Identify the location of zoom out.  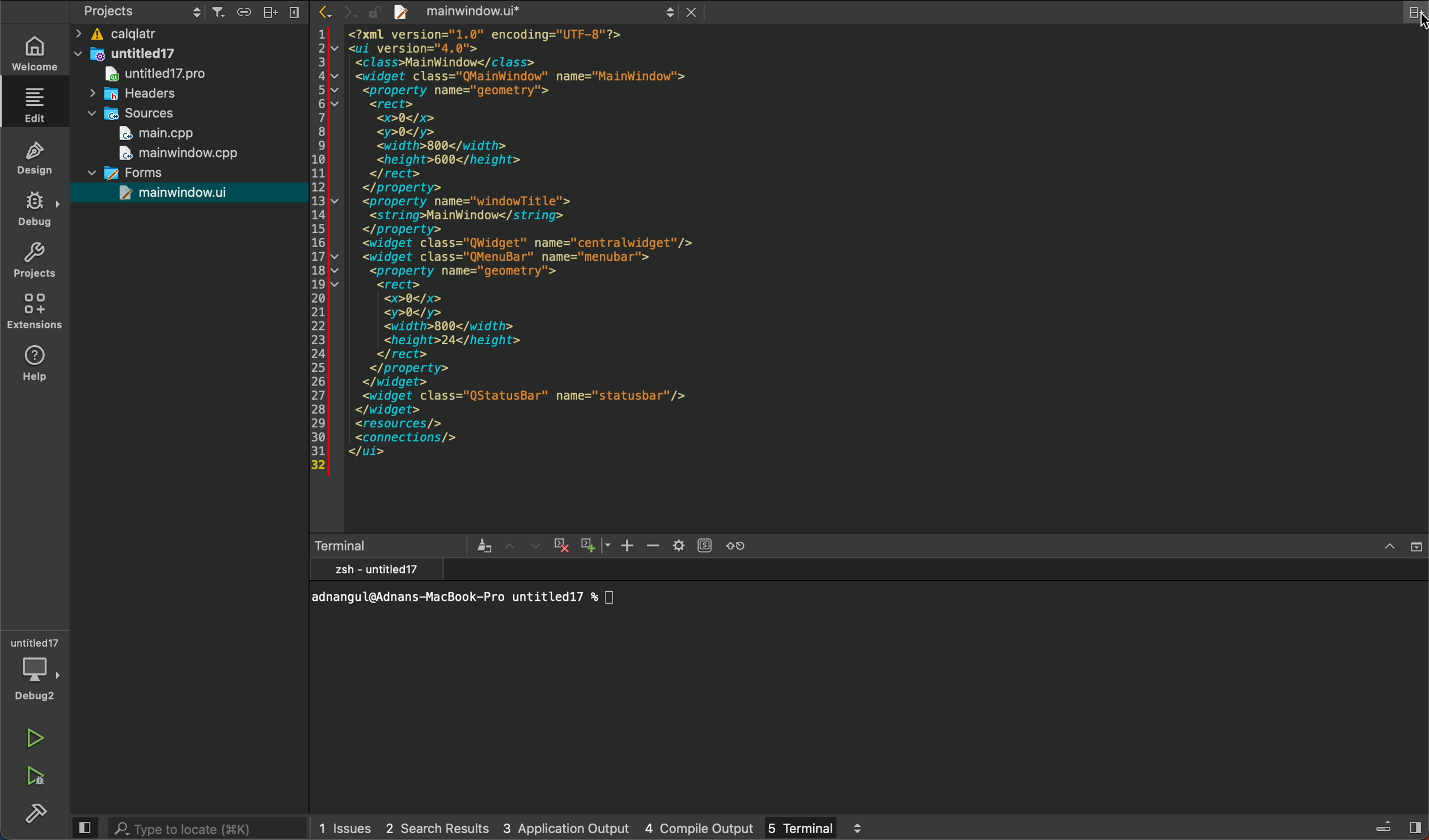
(594, 544).